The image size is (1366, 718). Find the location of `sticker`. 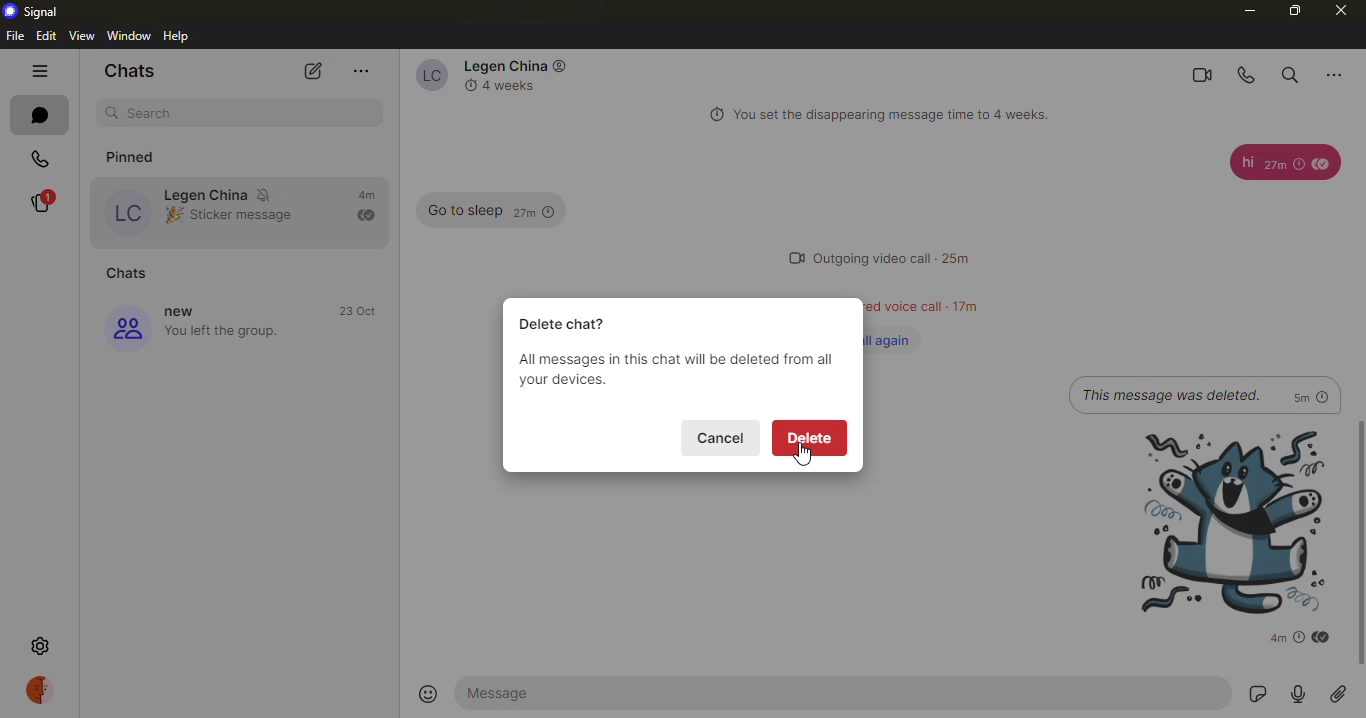

sticker is located at coordinates (1255, 695).